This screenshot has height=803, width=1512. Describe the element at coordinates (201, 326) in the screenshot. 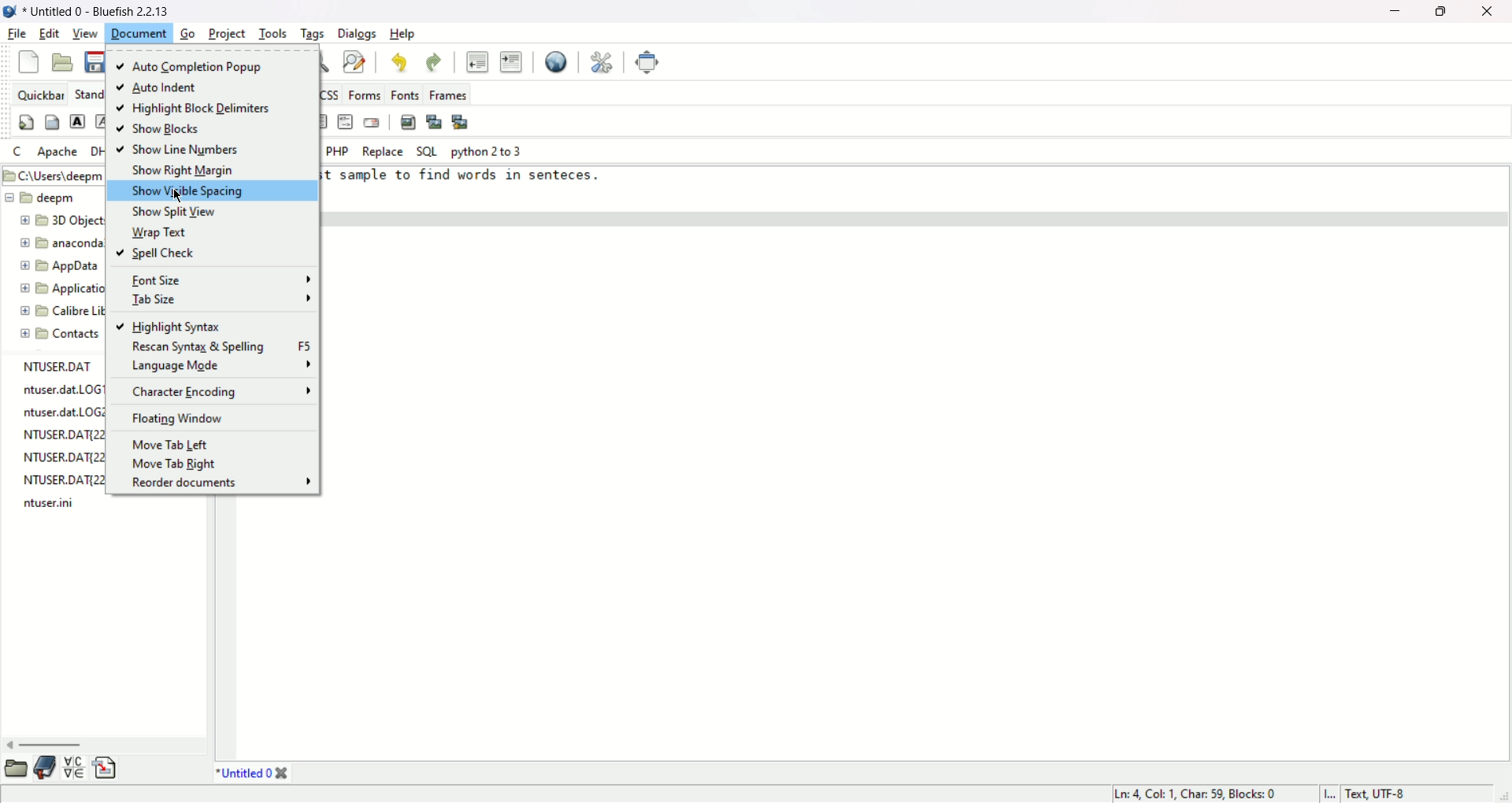

I see `highlight syntax` at that location.